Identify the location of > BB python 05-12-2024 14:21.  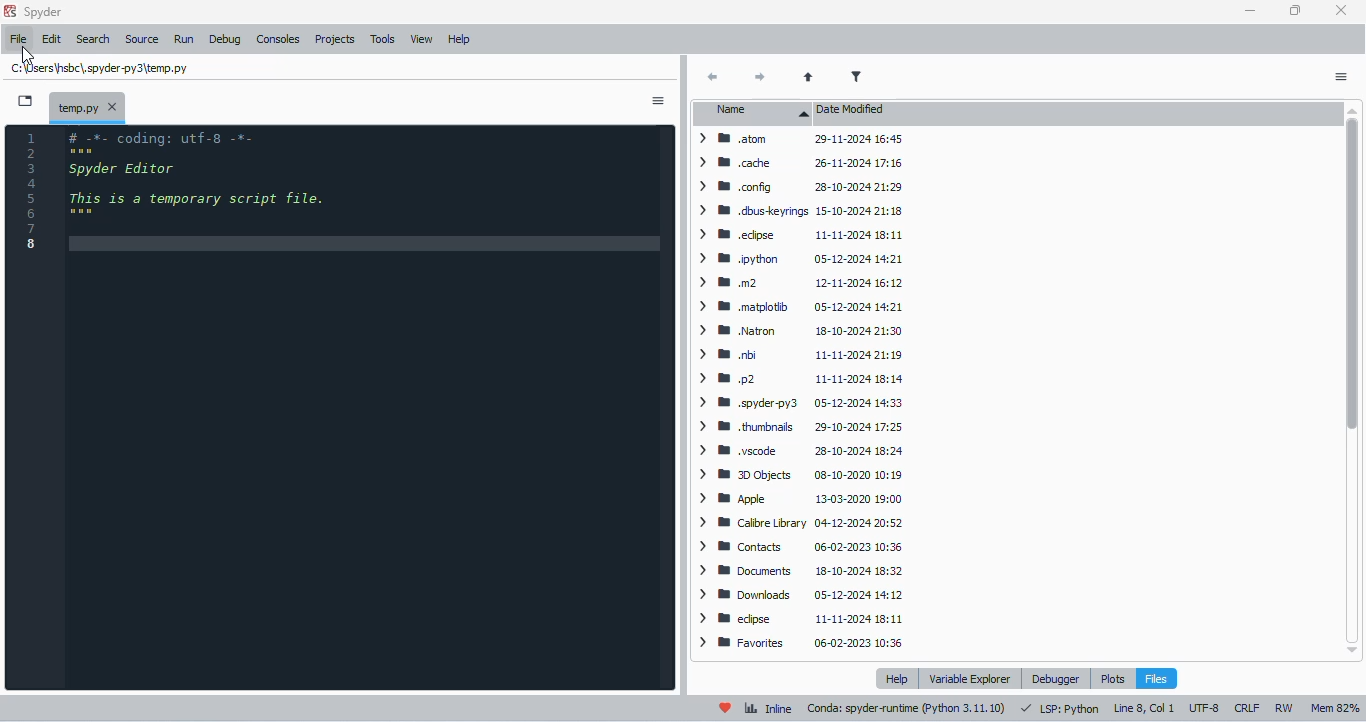
(796, 258).